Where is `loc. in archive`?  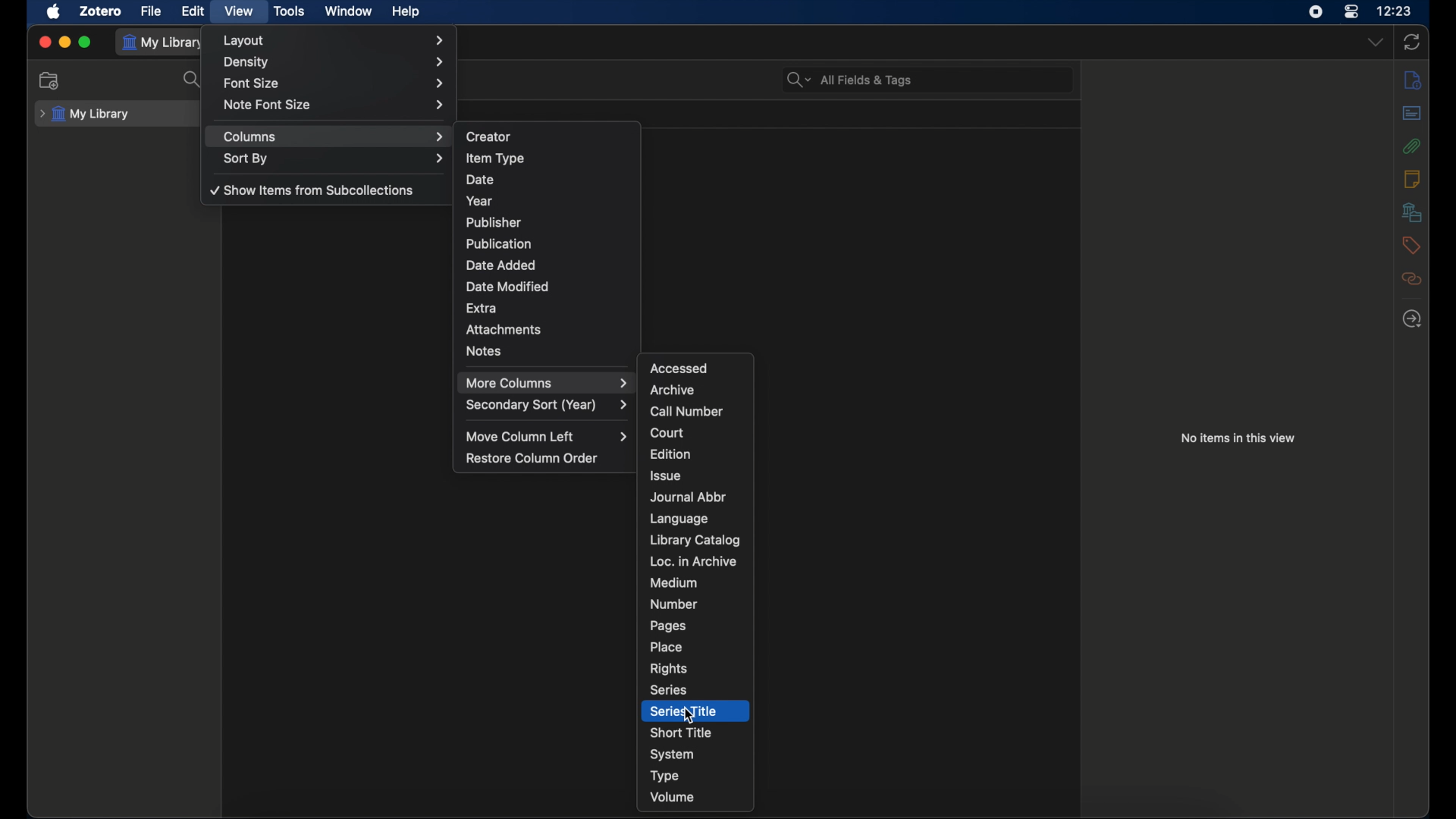 loc. in archive is located at coordinates (692, 562).